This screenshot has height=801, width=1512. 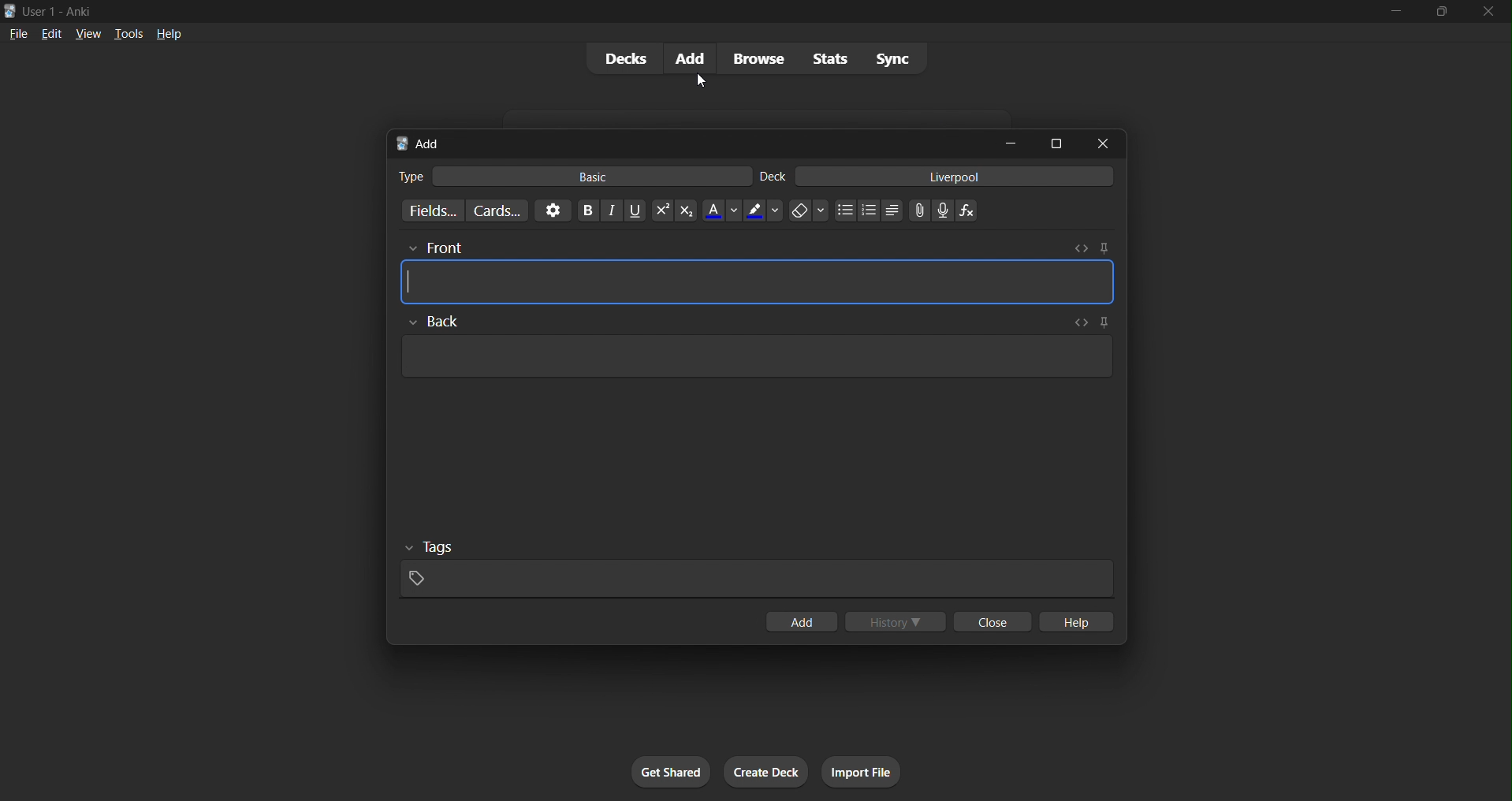 I want to click on Card Front input field, so click(x=762, y=272).